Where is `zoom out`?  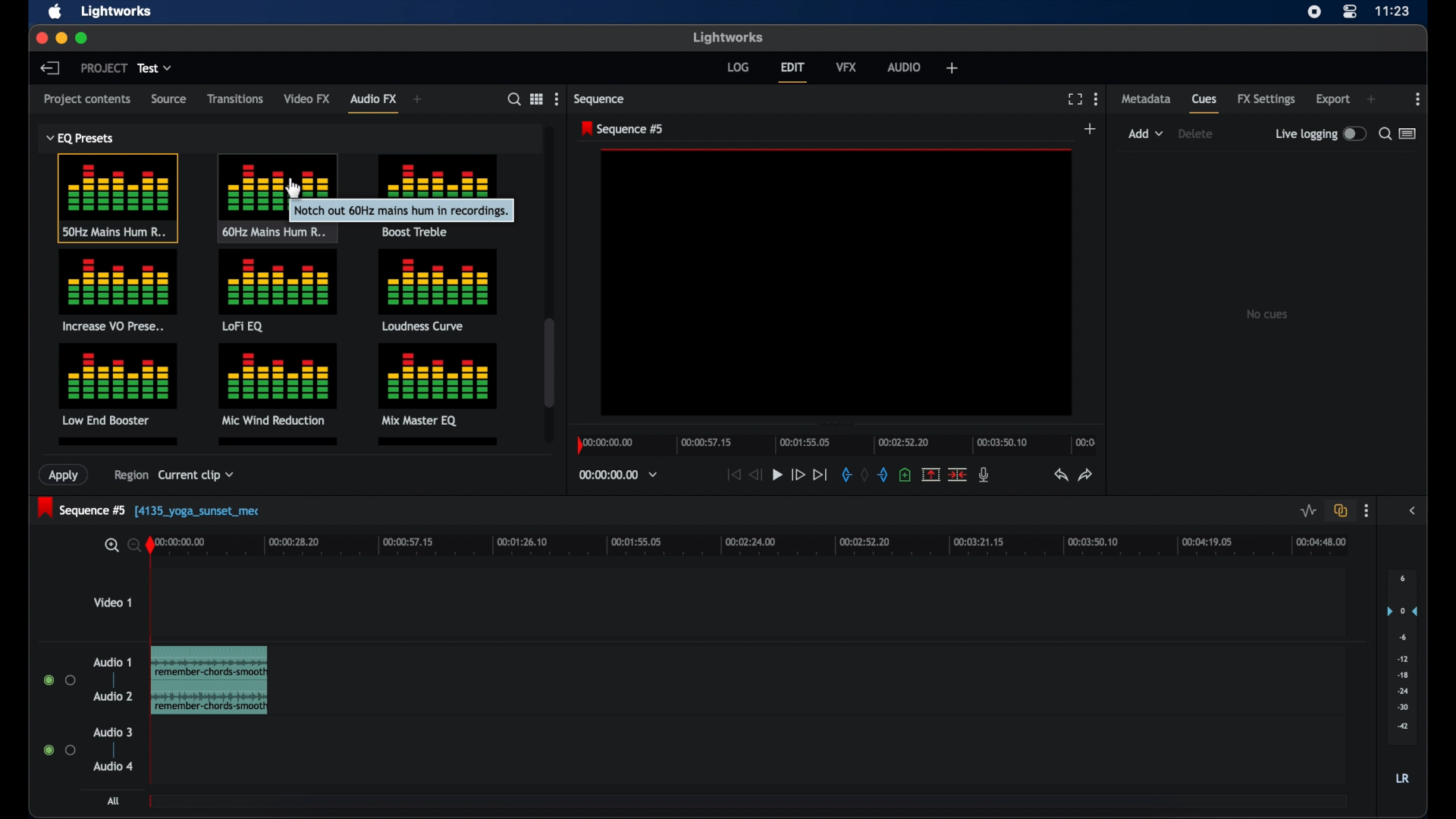 zoom out is located at coordinates (131, 544).